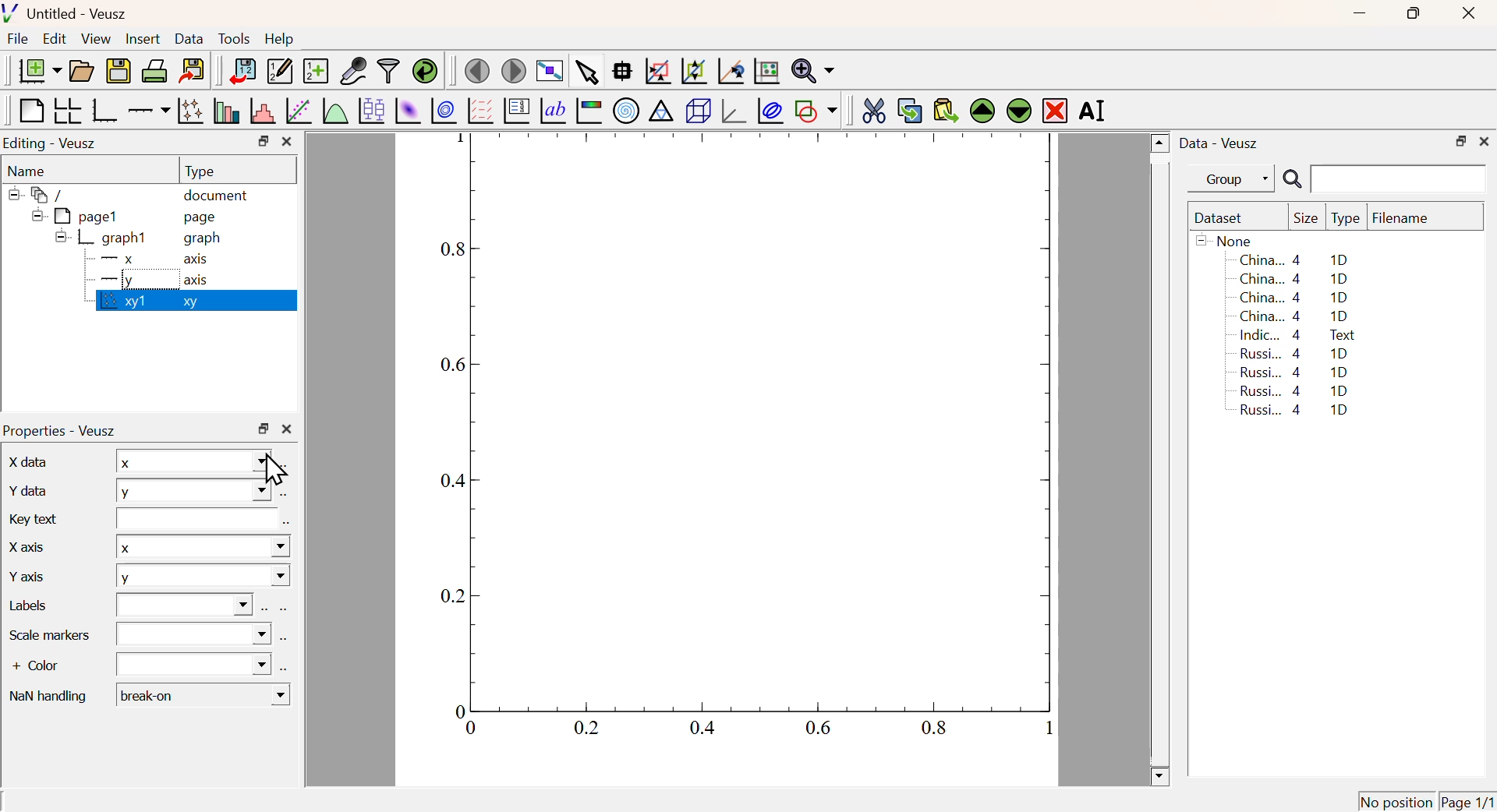 The width and height of the screenshot is (1497, 812). What do you see at coordinates (1160, 461) in the screenshot?
I see `Scroll` at bounding box center [1160, 461].